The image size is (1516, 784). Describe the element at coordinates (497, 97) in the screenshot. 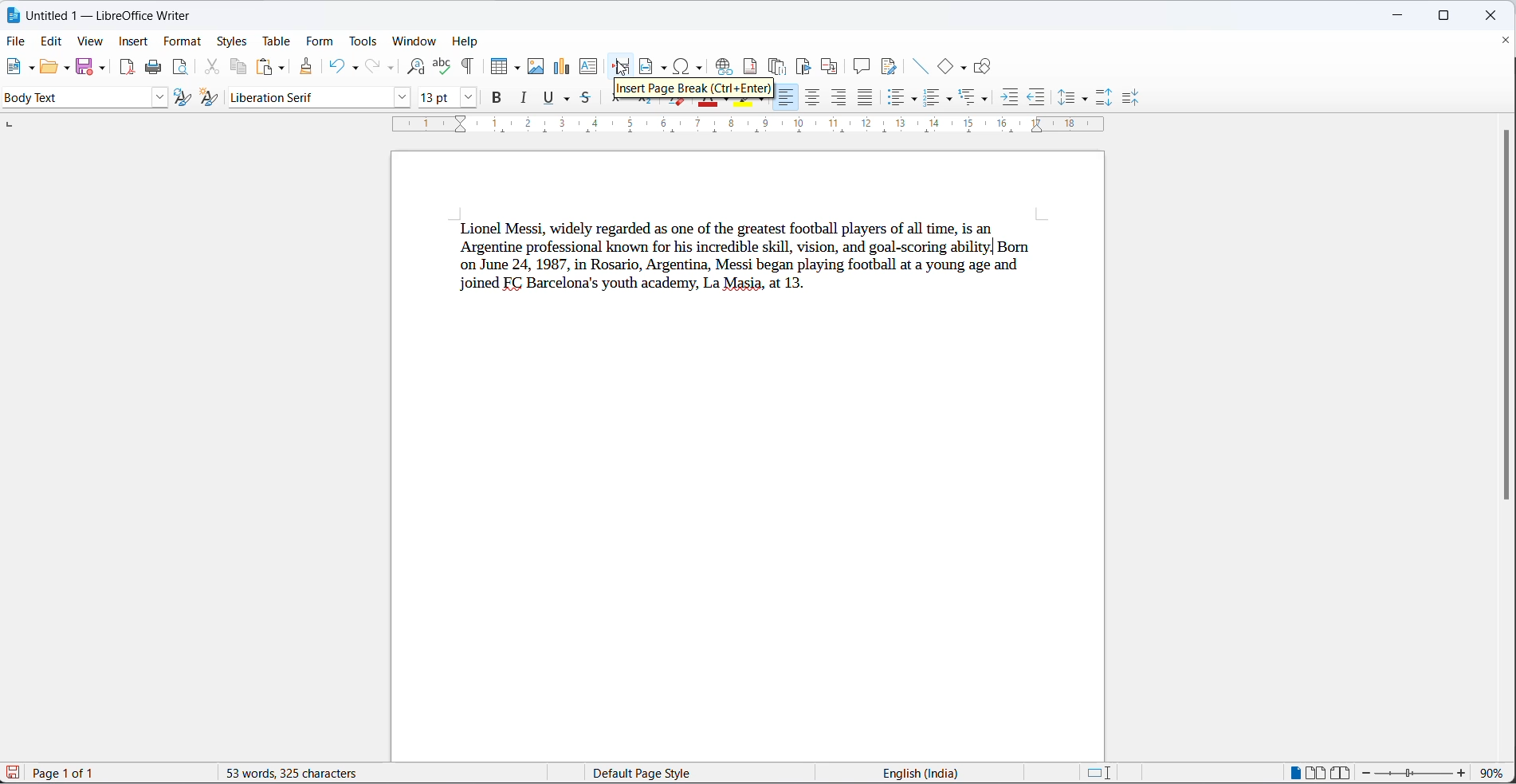

I see `bold` at that location.